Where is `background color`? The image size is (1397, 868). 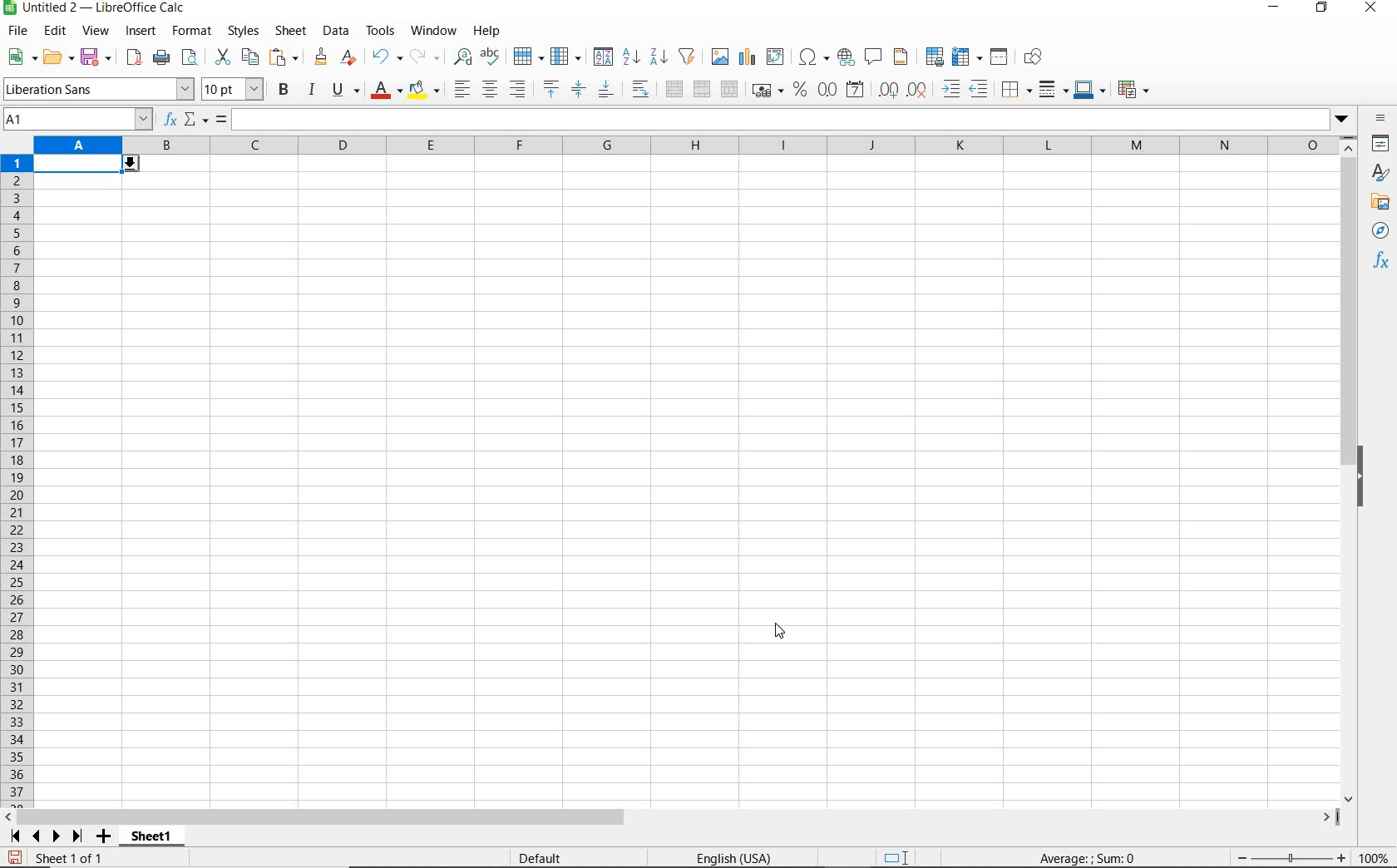
background color is located at coordinates (423, 91).